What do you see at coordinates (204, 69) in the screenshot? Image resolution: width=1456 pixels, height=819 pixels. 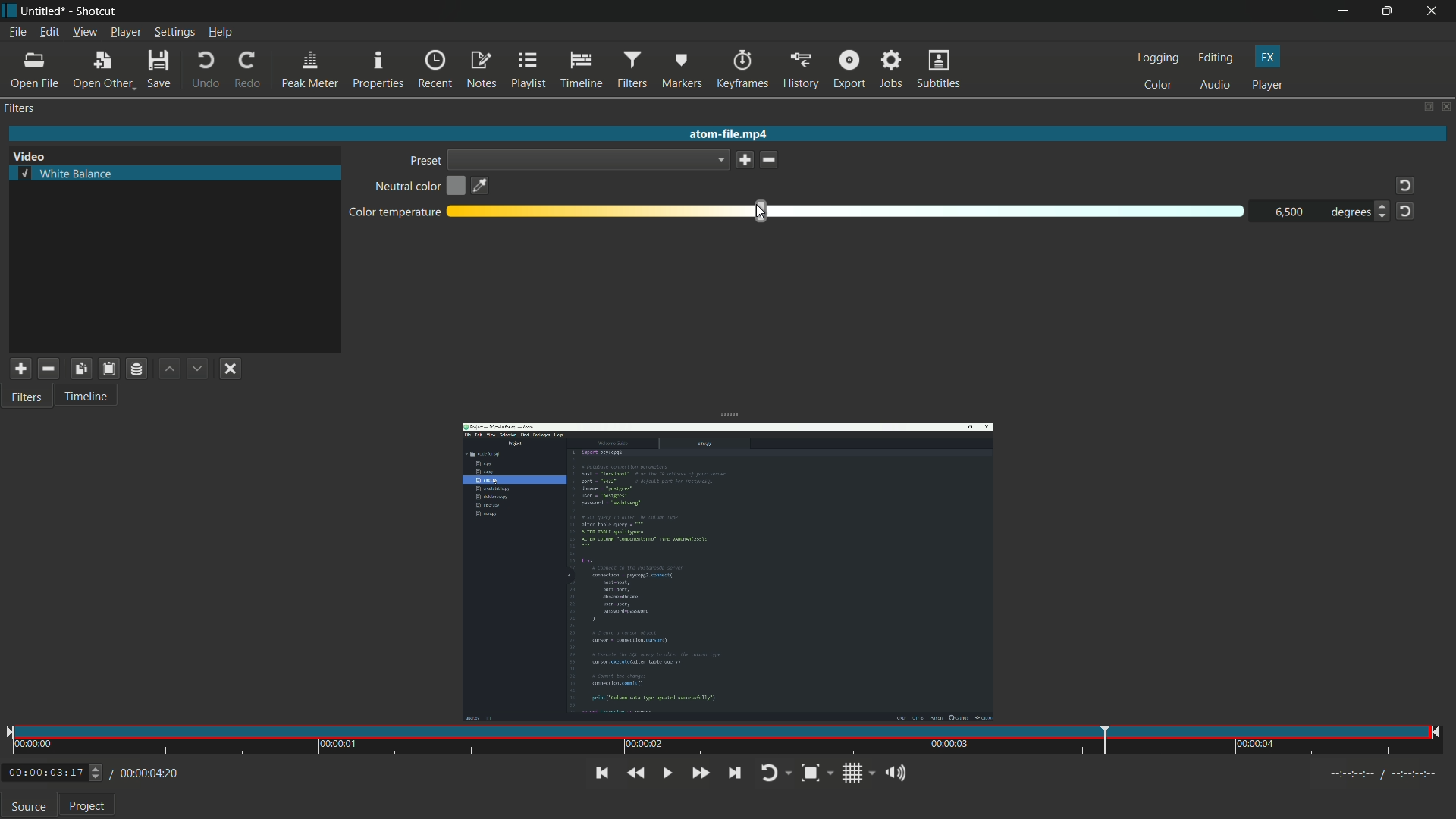 I see `undo` at bounding box center [204, 69].